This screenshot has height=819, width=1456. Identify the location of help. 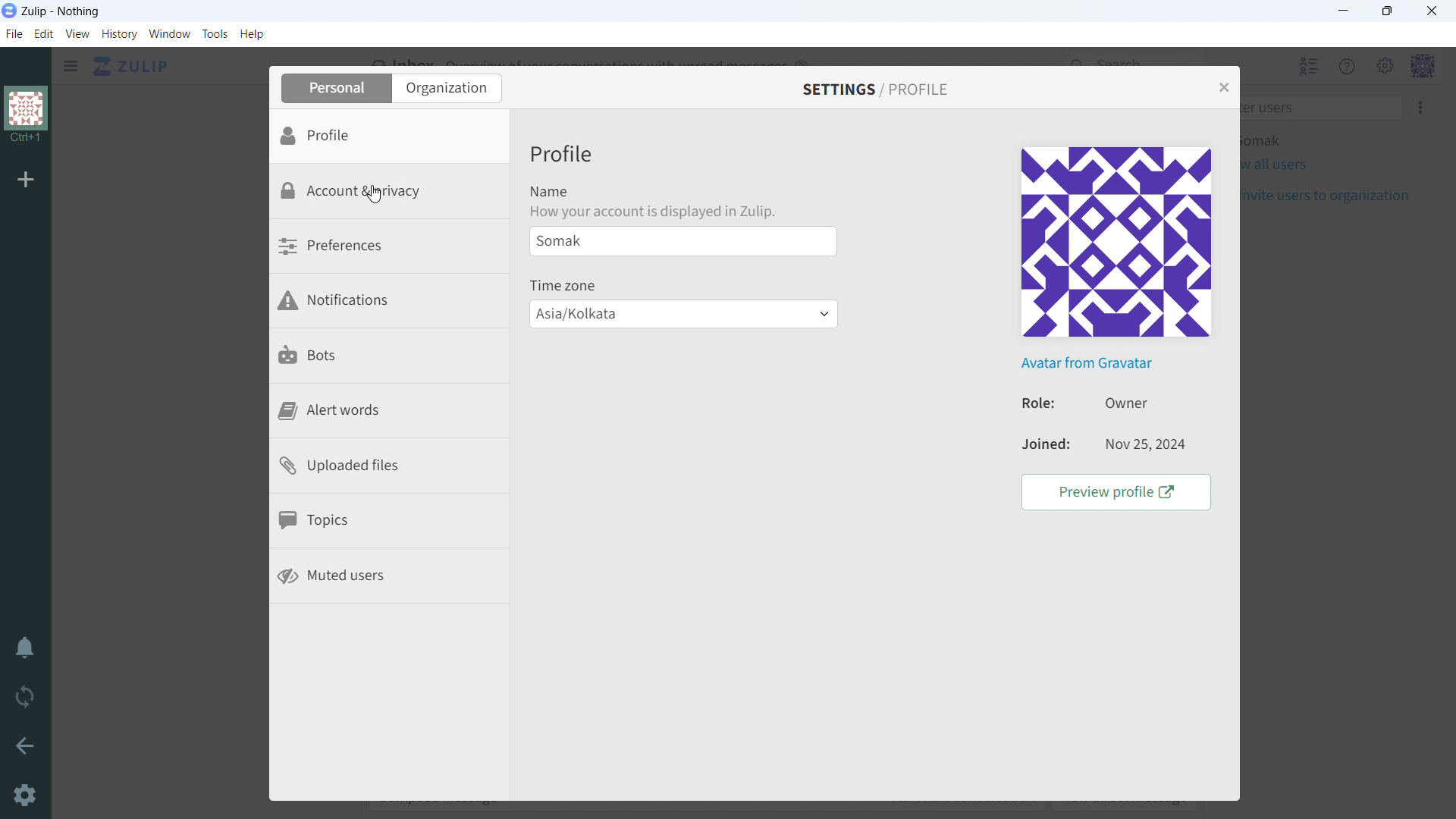
(252, 33).